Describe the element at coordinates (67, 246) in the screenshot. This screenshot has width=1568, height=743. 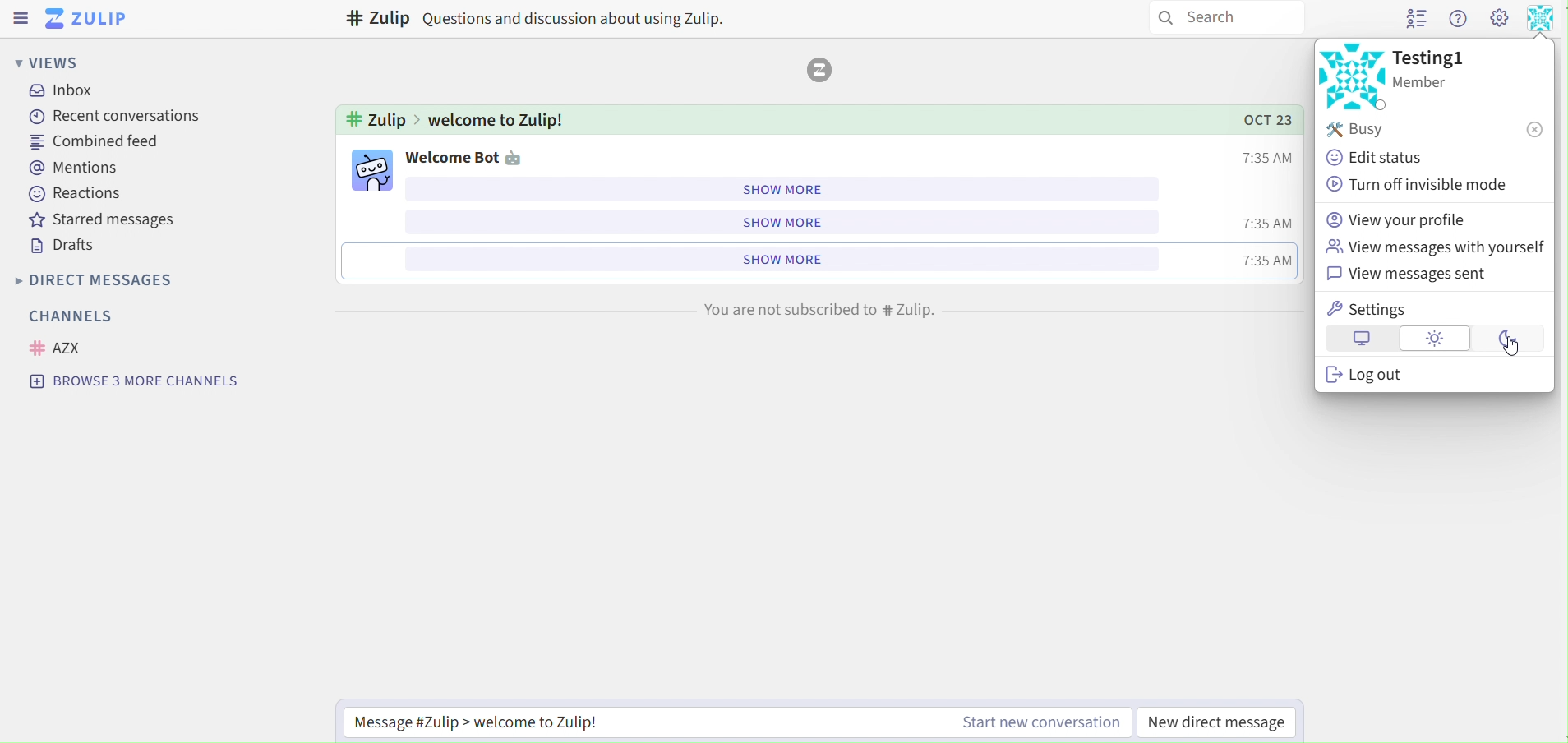
I see `drafts` at that location.